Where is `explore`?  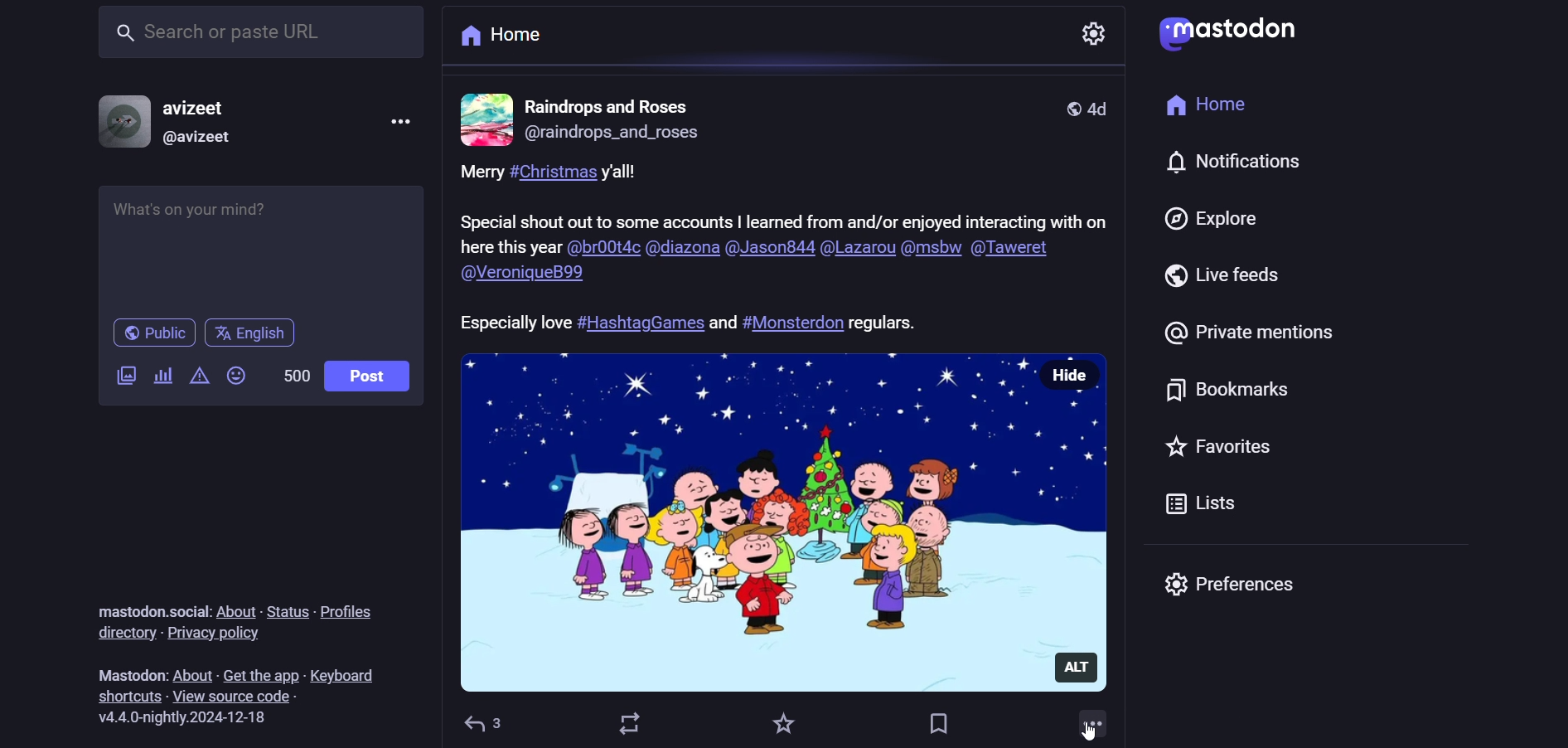 explore is located at coordinates (1217, 221).